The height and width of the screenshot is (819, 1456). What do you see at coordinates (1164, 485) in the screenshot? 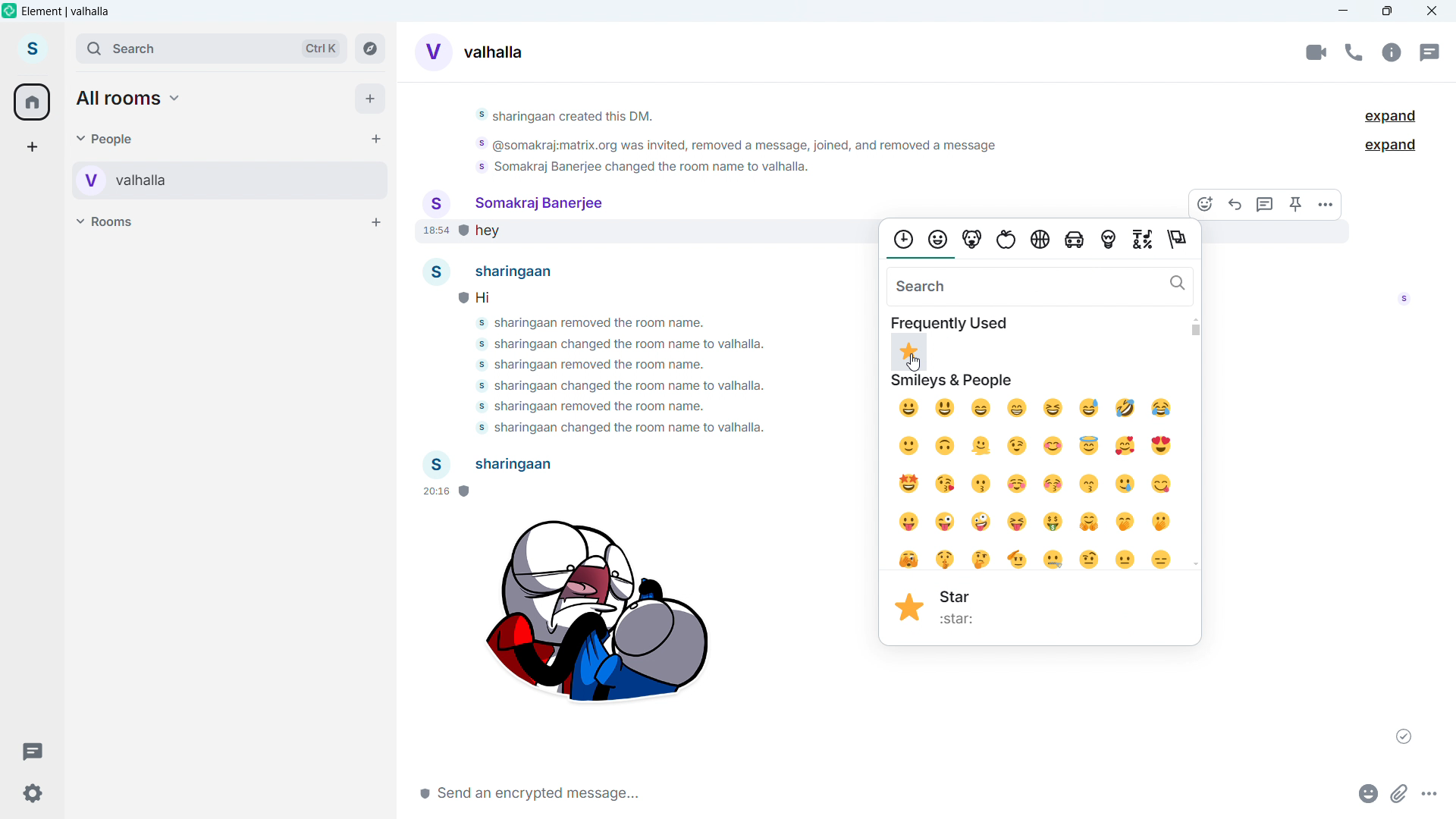
I see `face savoring food` at bounding box center [1164, 485].